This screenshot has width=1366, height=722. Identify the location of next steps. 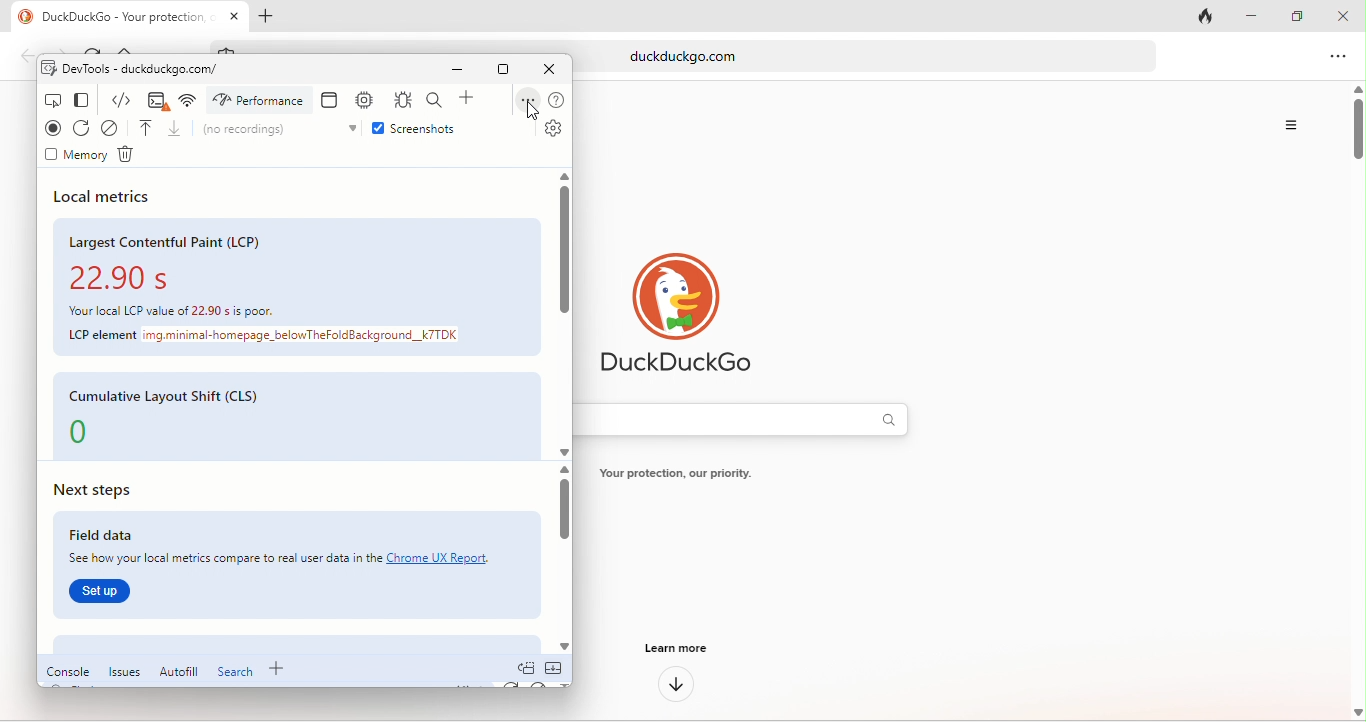
(112, 486).